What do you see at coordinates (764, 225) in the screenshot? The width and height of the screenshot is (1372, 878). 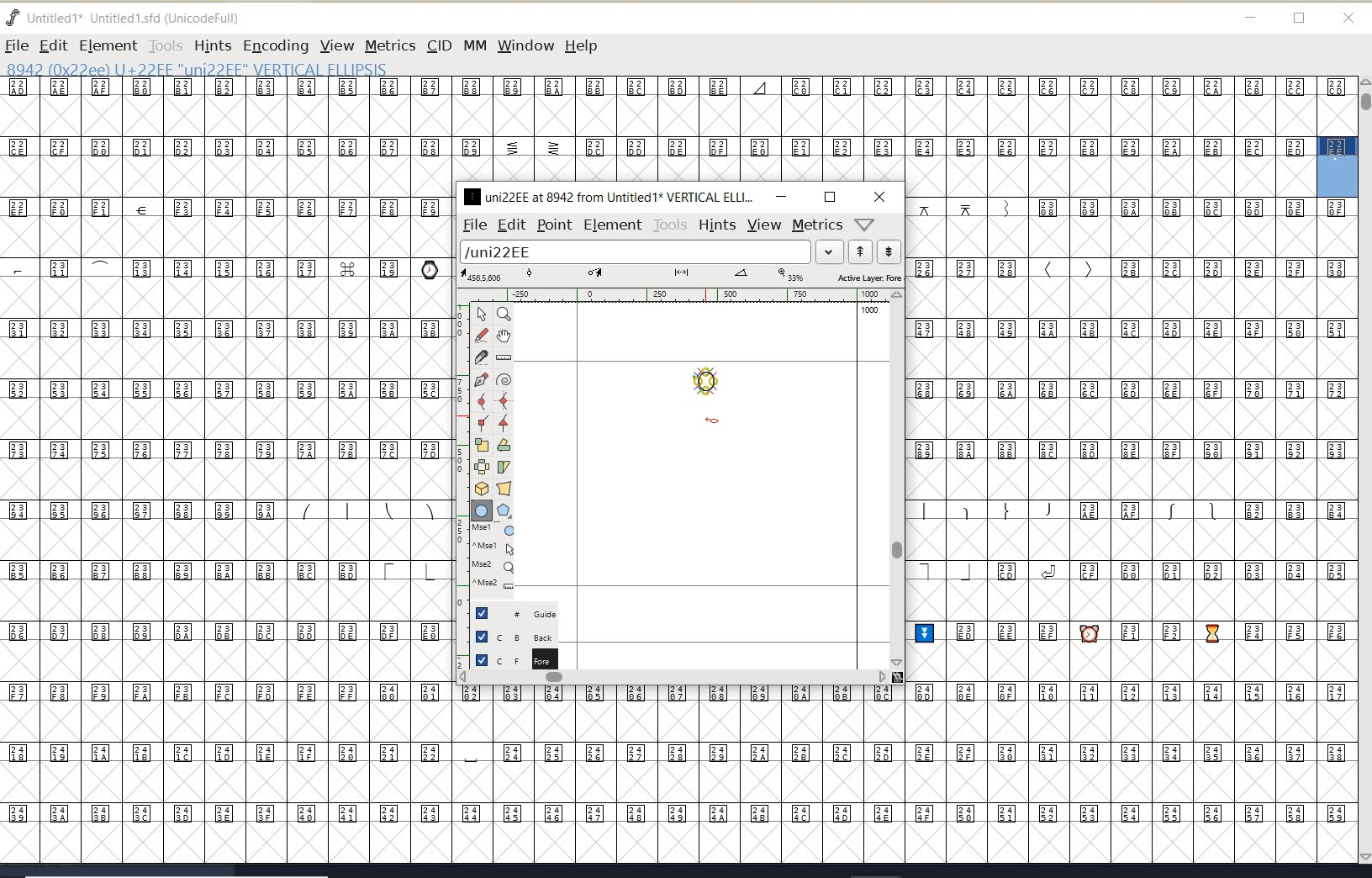 I see `view` at bounding box center [764, 225].